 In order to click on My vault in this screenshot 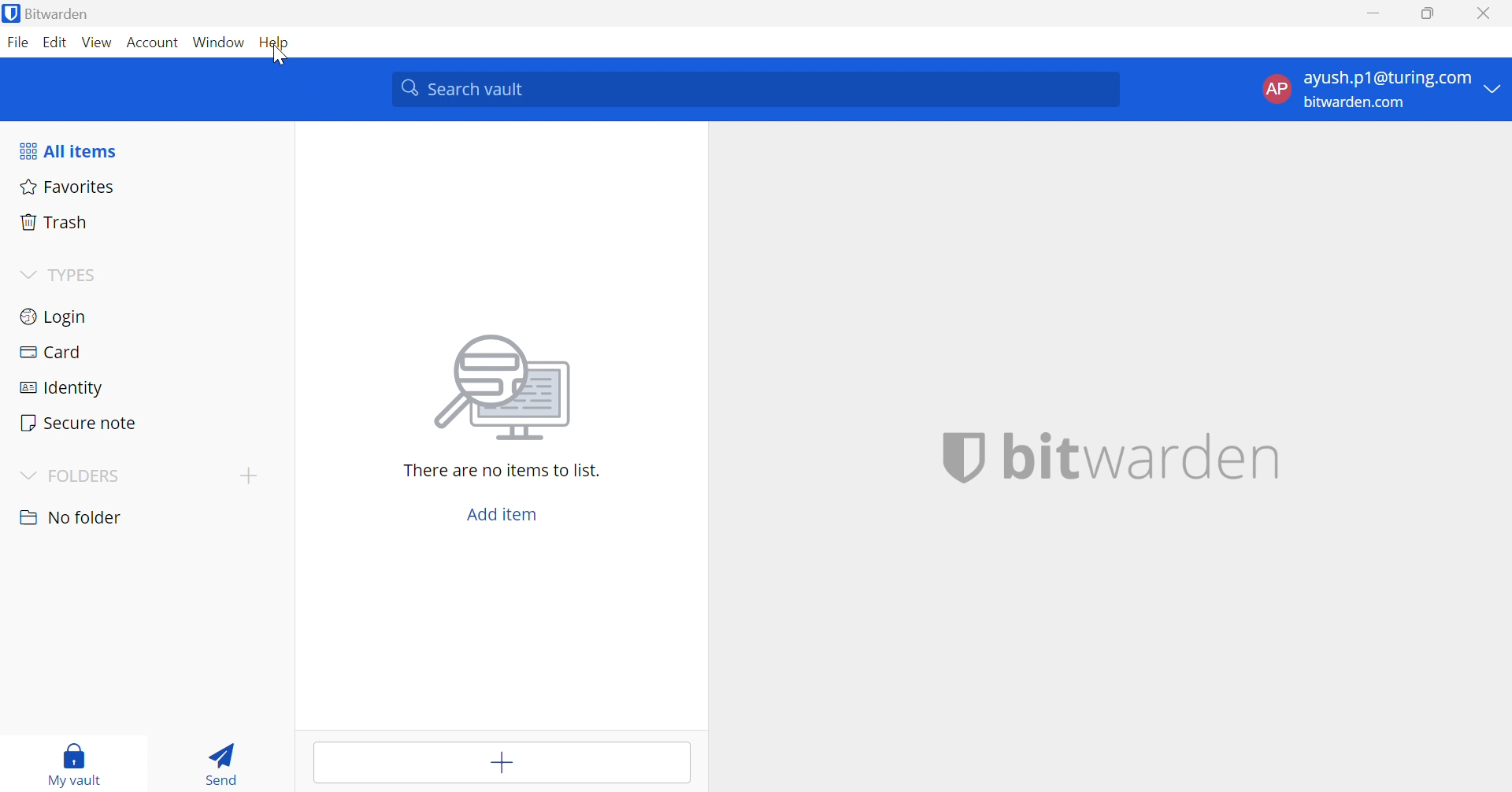, I will do `click(75, 762)`.